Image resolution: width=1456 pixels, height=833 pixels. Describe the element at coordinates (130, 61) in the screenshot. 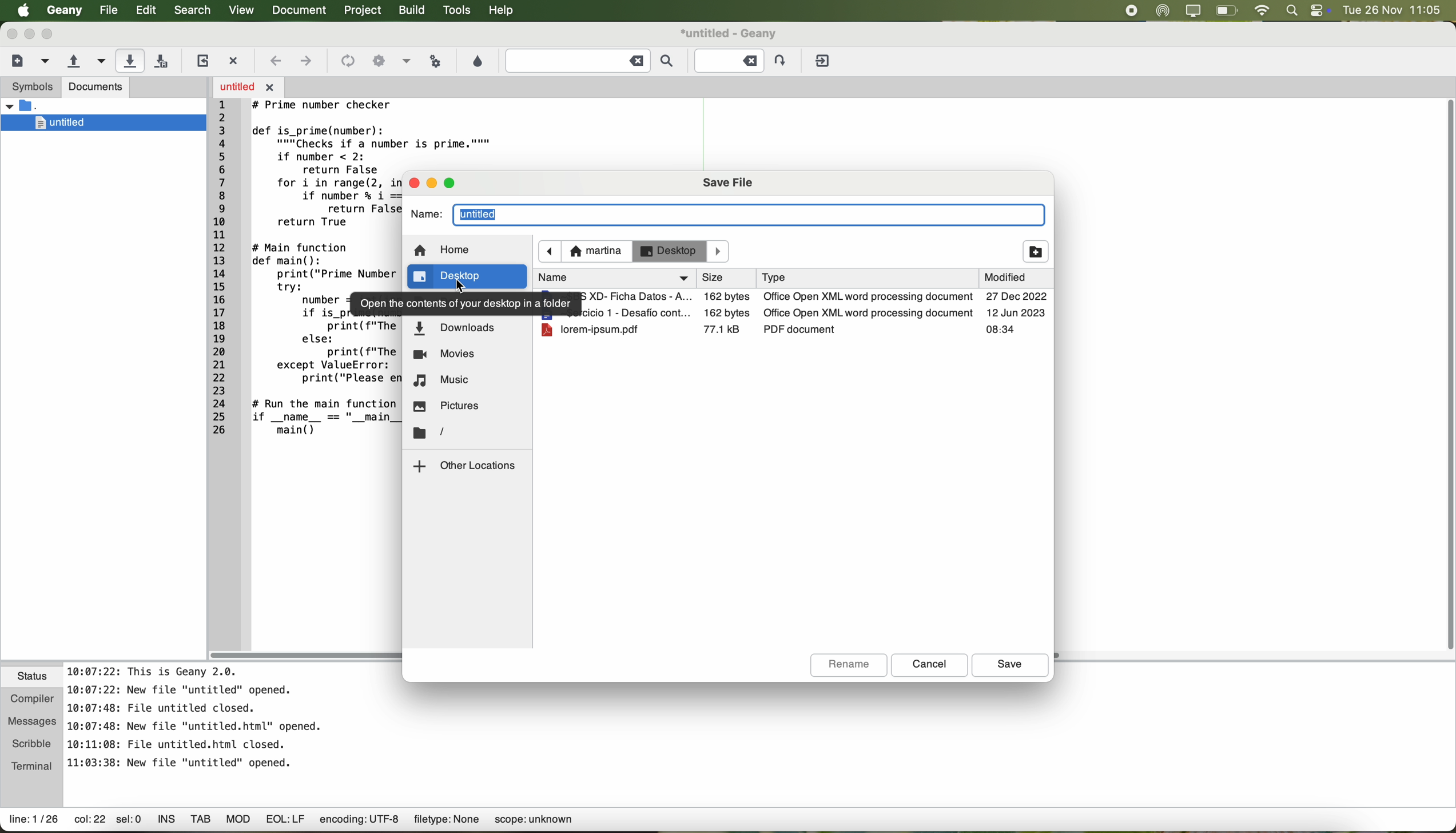

I see `click on save the current file` at that location.